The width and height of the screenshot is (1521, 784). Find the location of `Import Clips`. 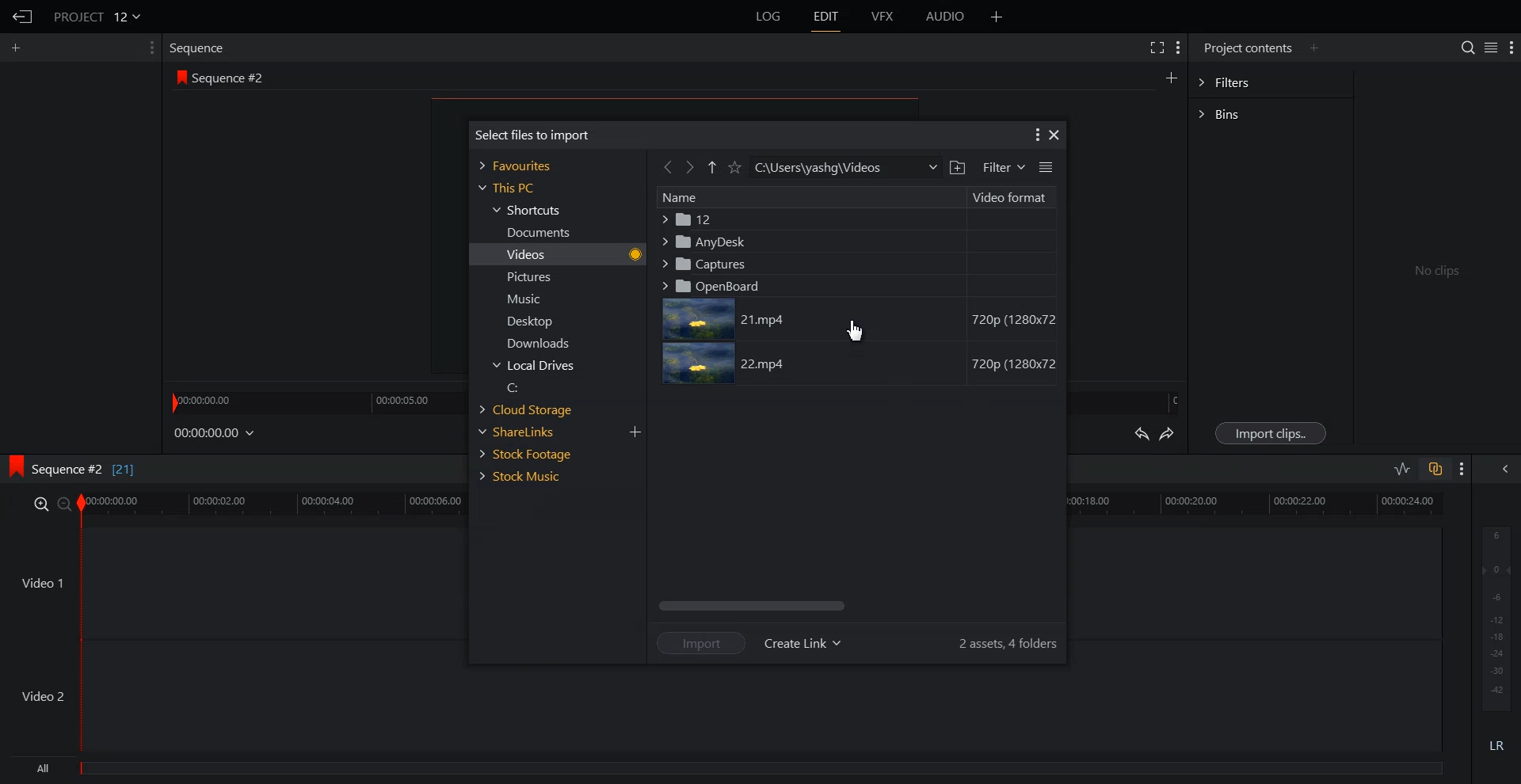

Import Clips is located at coordinates (1271, 432).